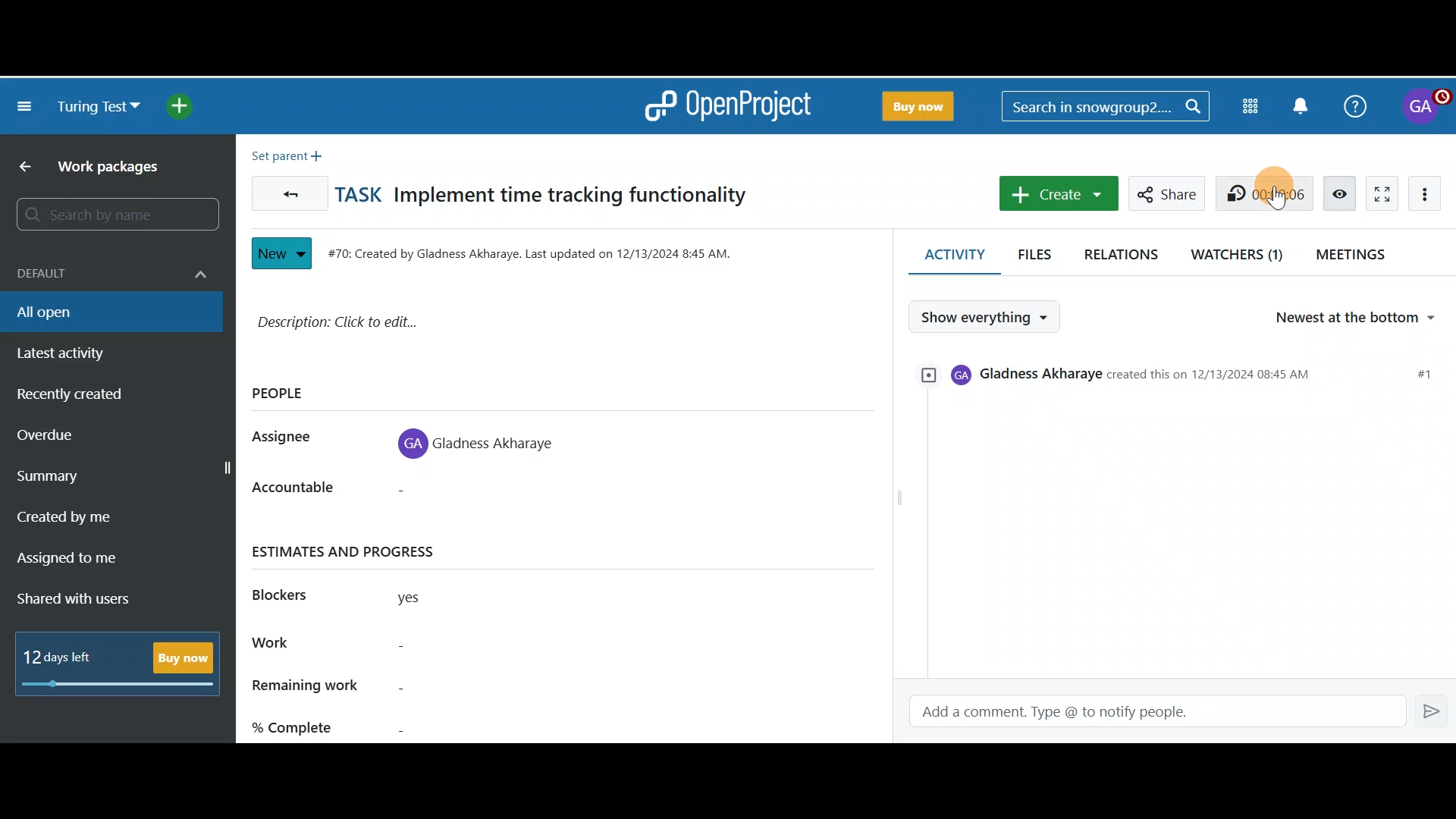 This screenshot has height=819, width=1456. Describe the element at coordinates (1339, 193) in the screenshot. I see `Unwatch work package` at that location.